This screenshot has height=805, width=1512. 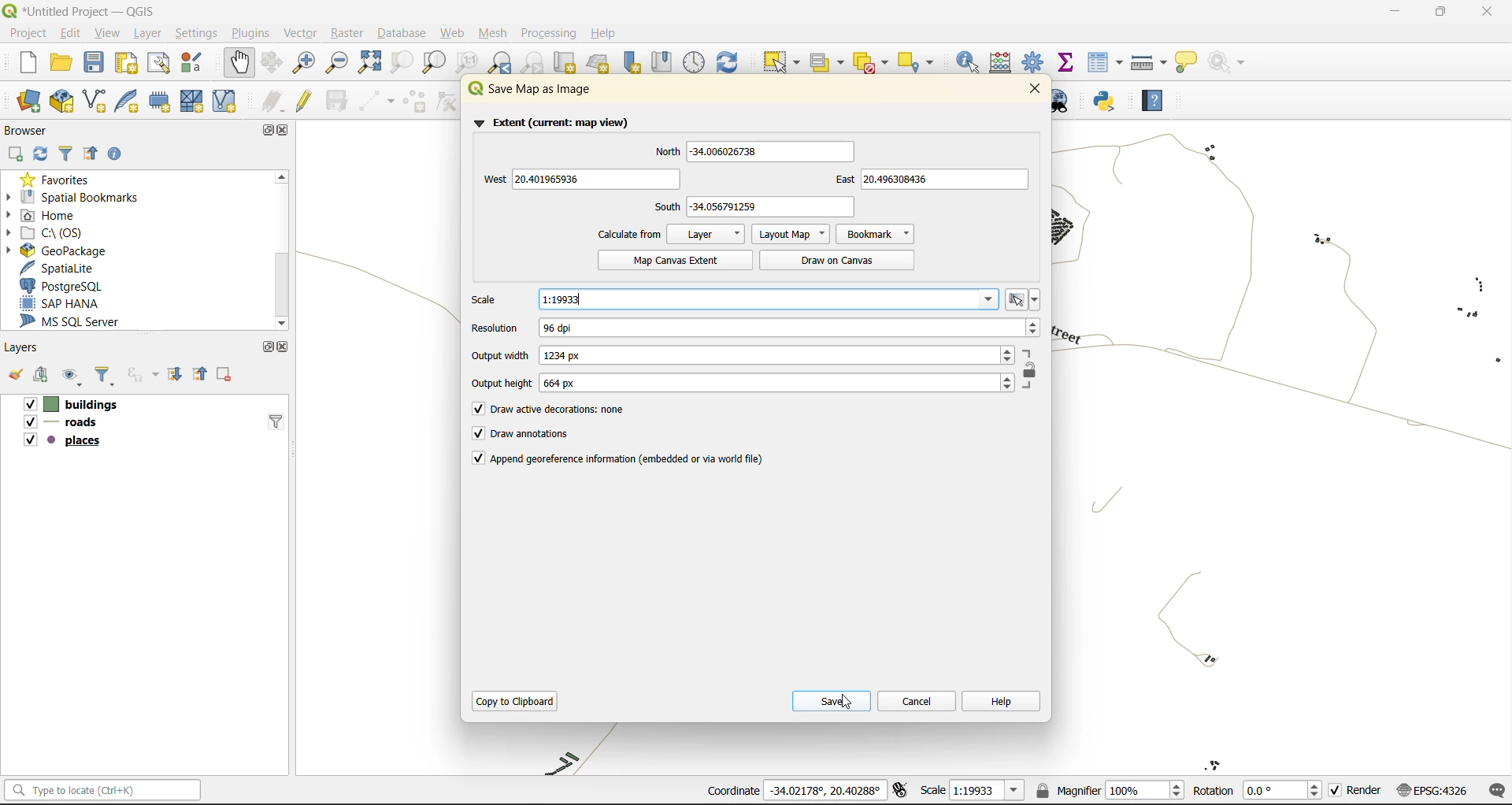 What do you see at coordinates (551, 35) in the screenshot?
I see `processing` at bounding box center [551, 35].